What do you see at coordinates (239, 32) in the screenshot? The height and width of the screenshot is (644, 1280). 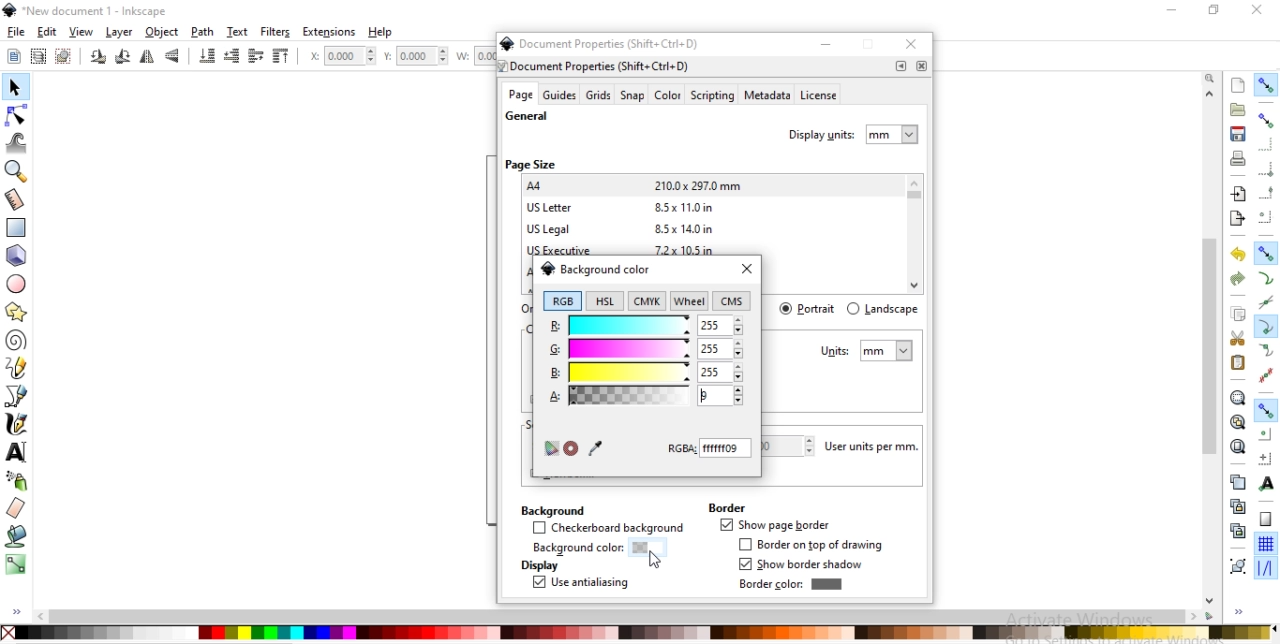 I see `text` at bounding box center [239, 32].